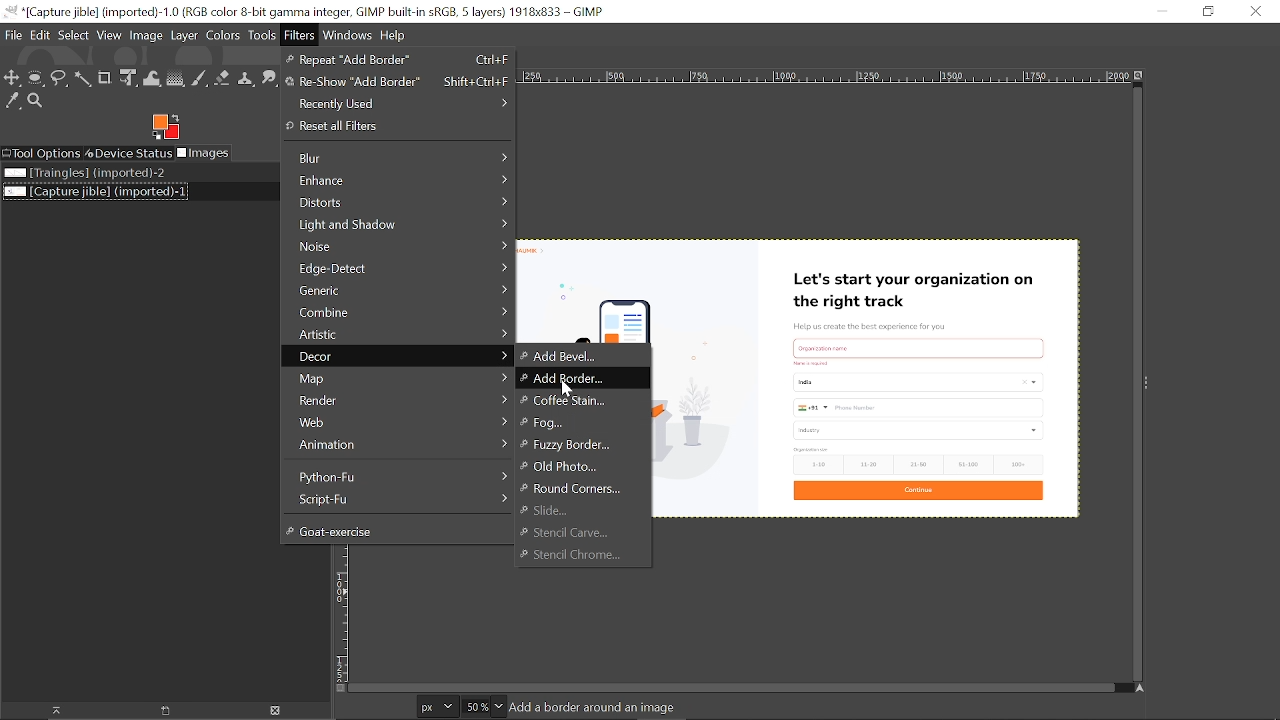 The width and height of the screenshot is (1280, 720). I want to click on , so click(917, 345).